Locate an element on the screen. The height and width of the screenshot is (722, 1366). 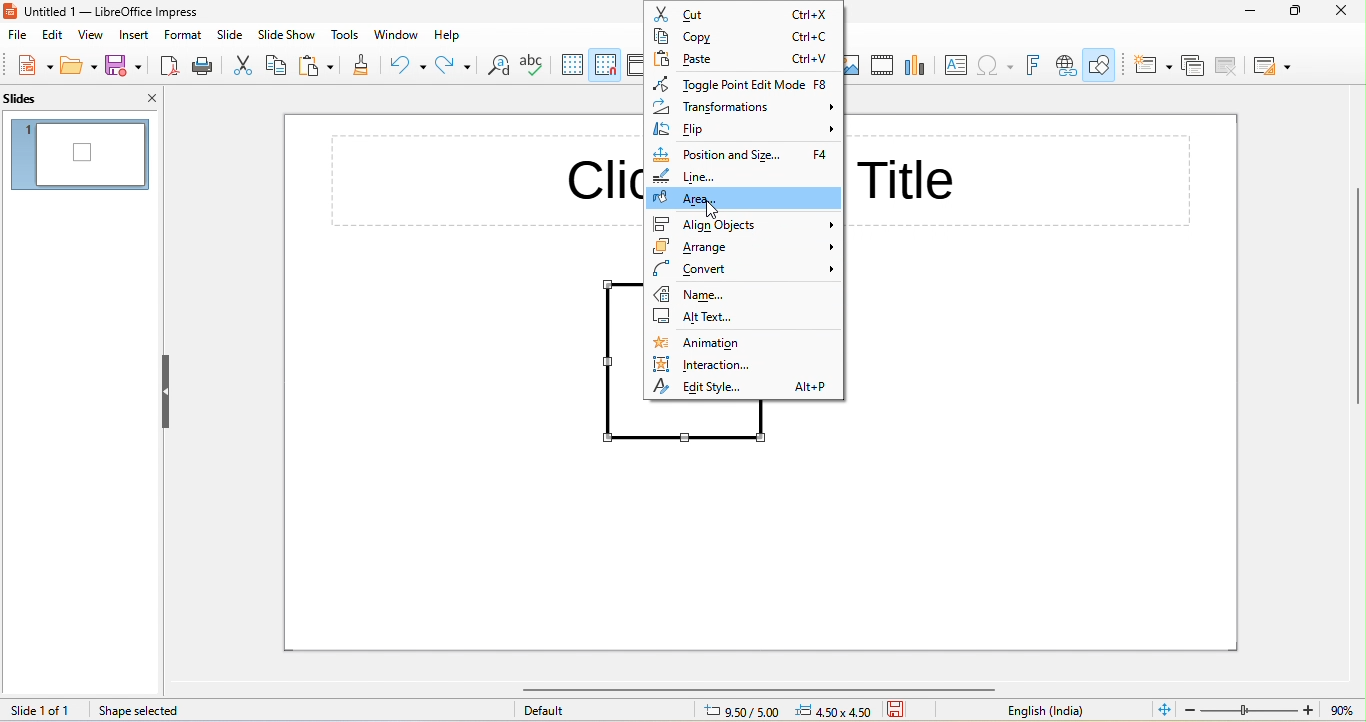
f4 is located at coordinates (823, 155).